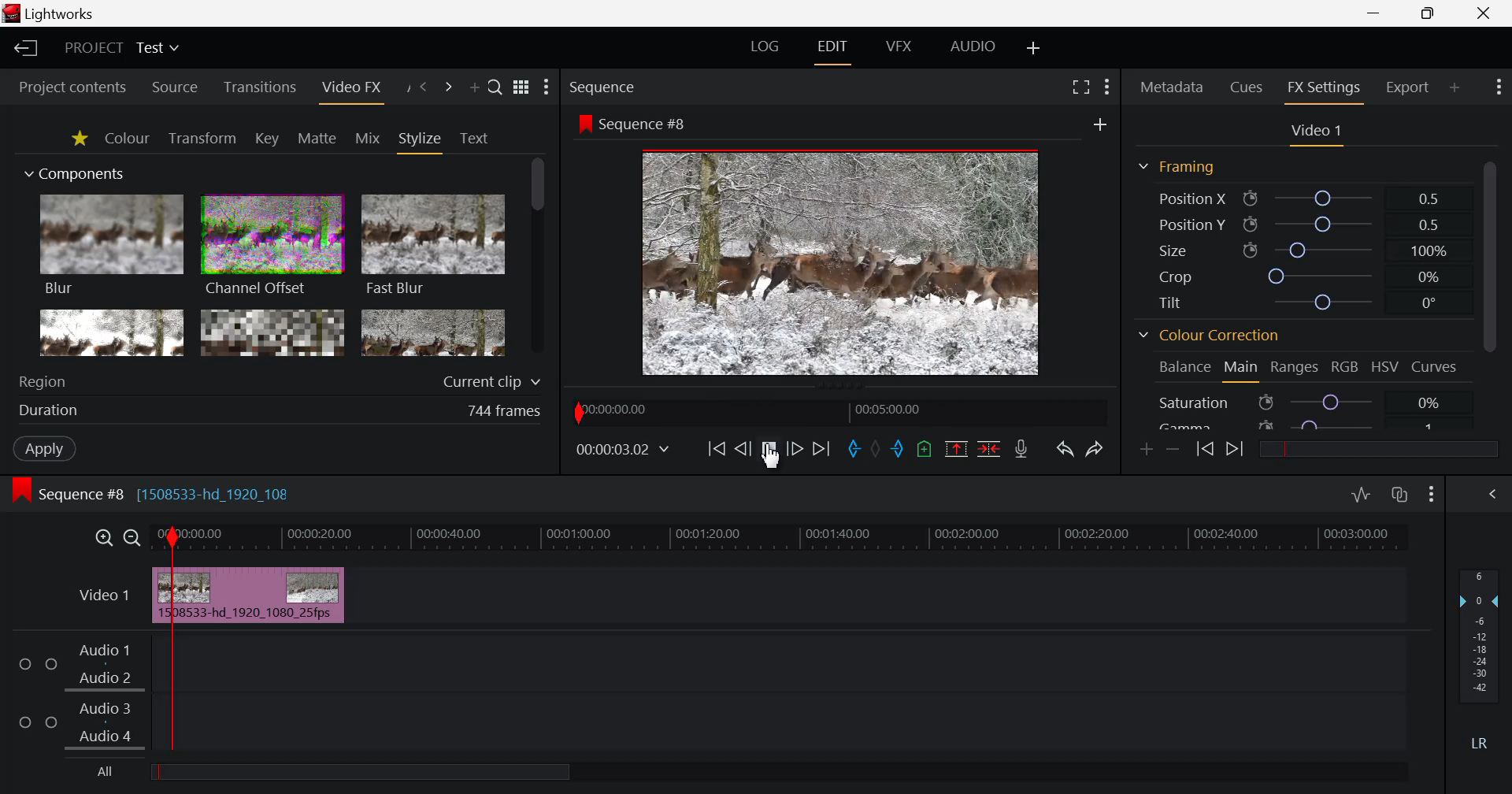 The width and height of the screenshot is (1512, 794). I want to click on Decibel Level, so click(1480, 655).